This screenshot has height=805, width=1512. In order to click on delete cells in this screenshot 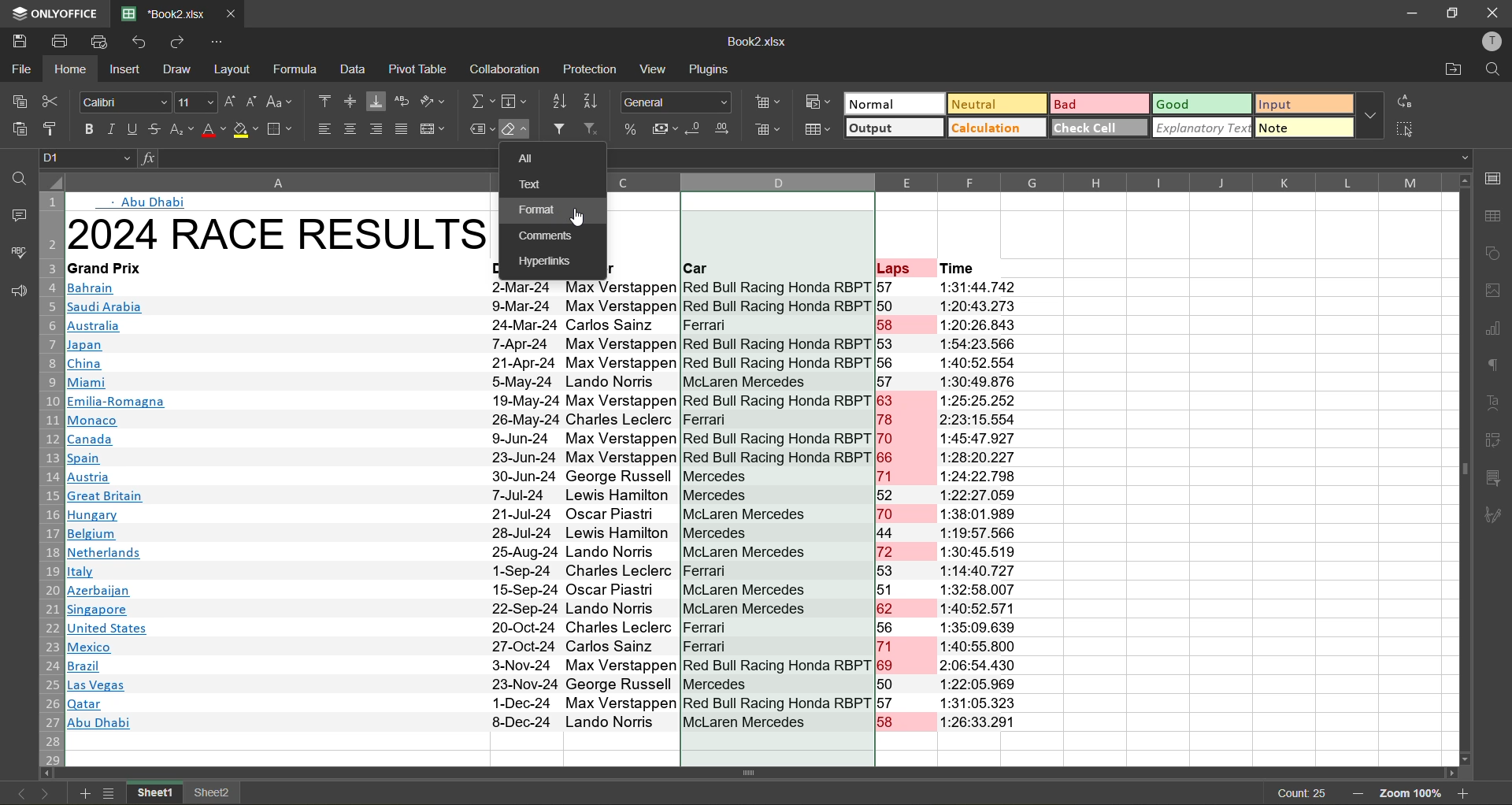, I will do `click(771, 129)`.